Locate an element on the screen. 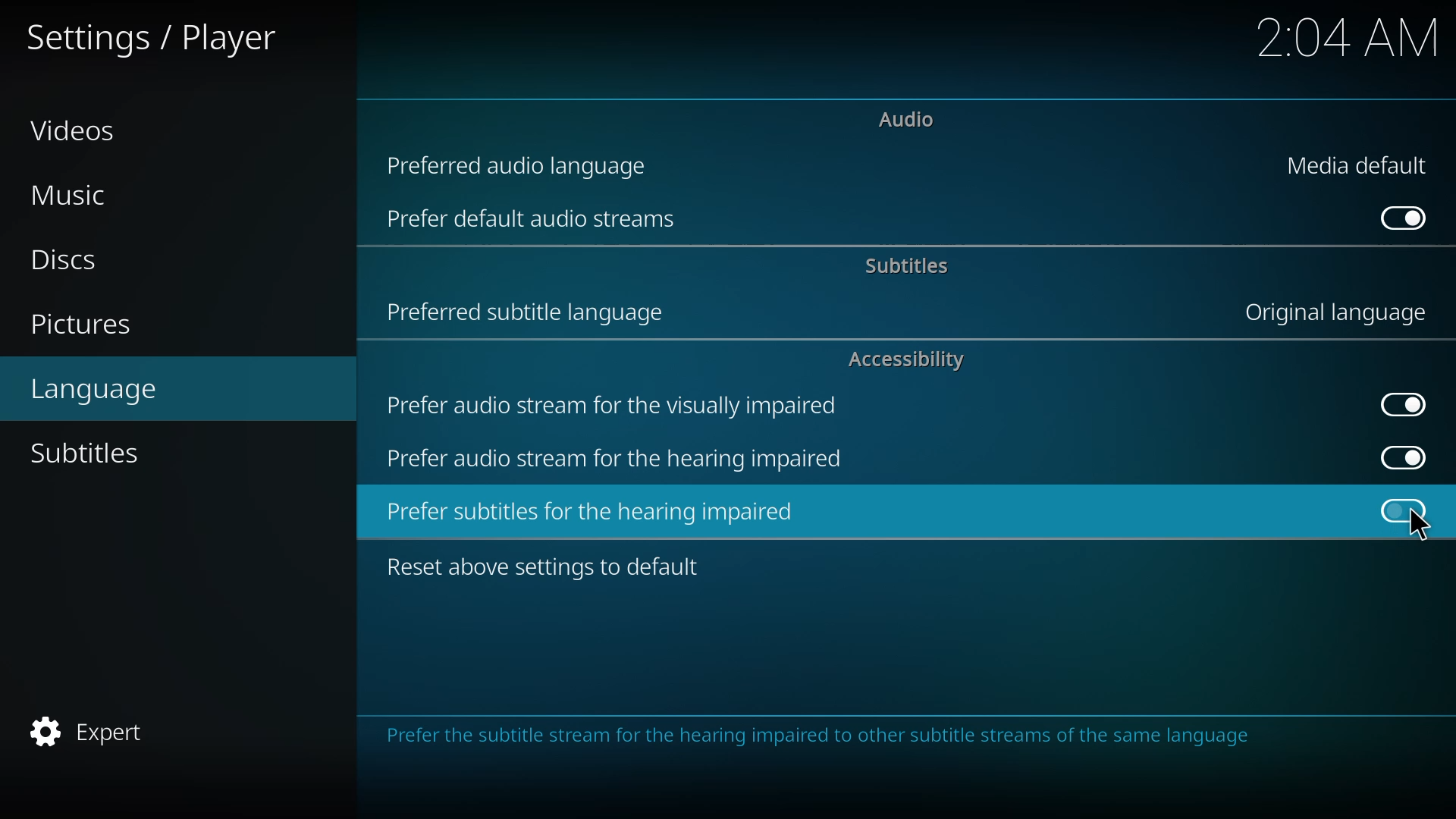 This screenshot has width=1456, height=819. preferred subtitle language is located at coordinates (529, 309).